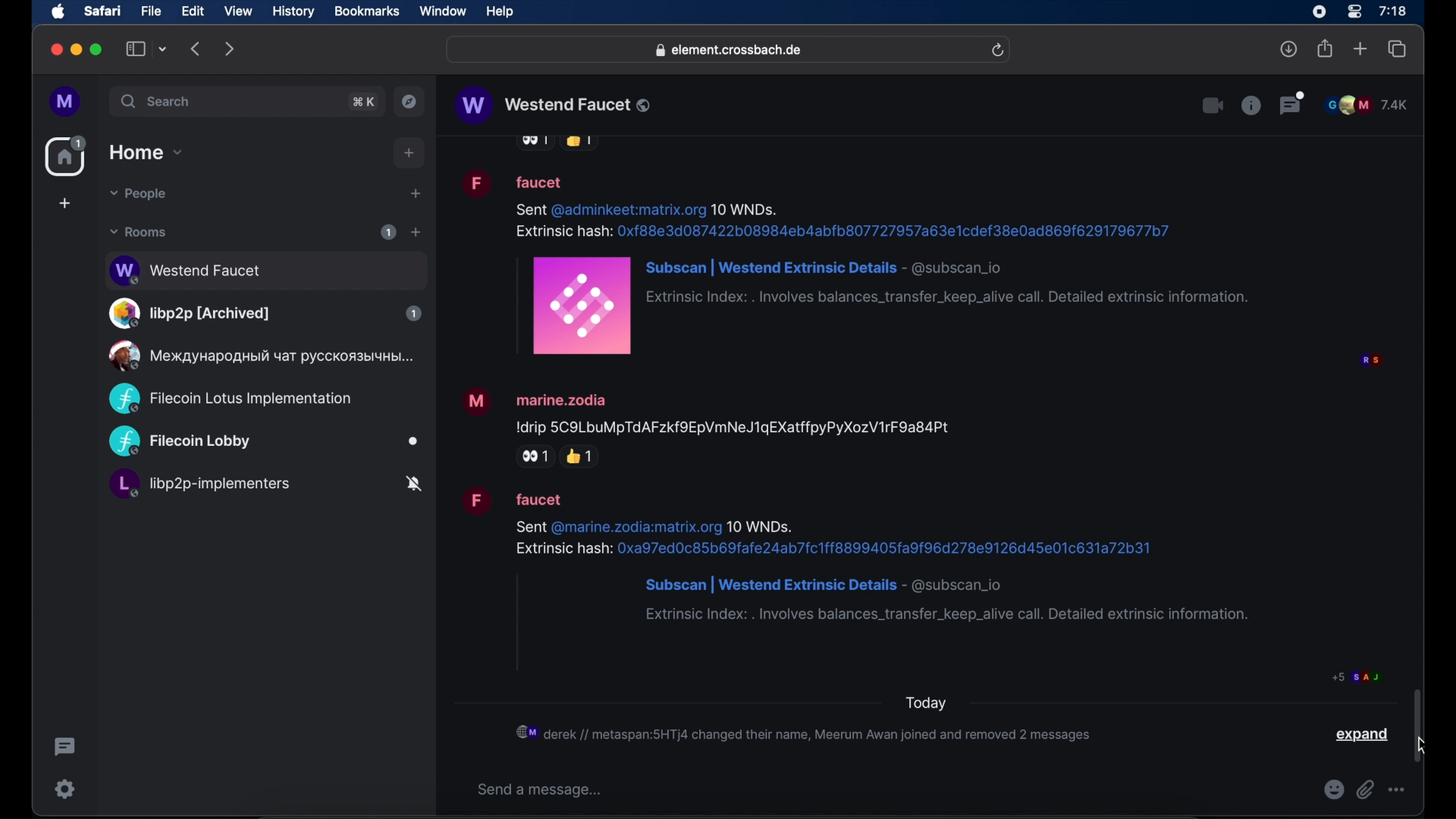 This screenshot has width=1456, height=819. What do you see at coordinates (997, 51) in the screenshot?
I see `refresh` at bounding box center [997, 51].